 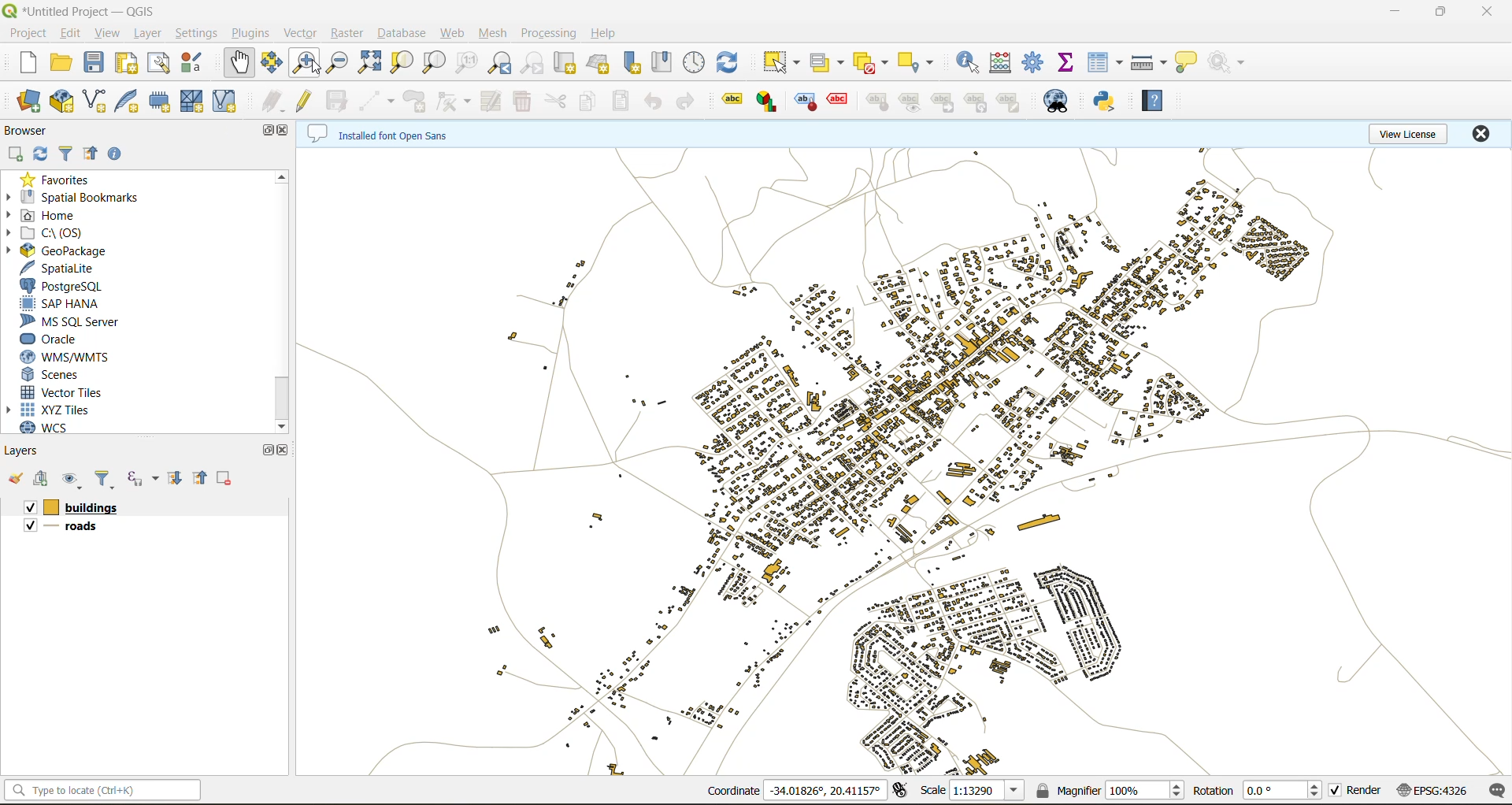 I want to click on pan to selection, so click(x=273, y=65).